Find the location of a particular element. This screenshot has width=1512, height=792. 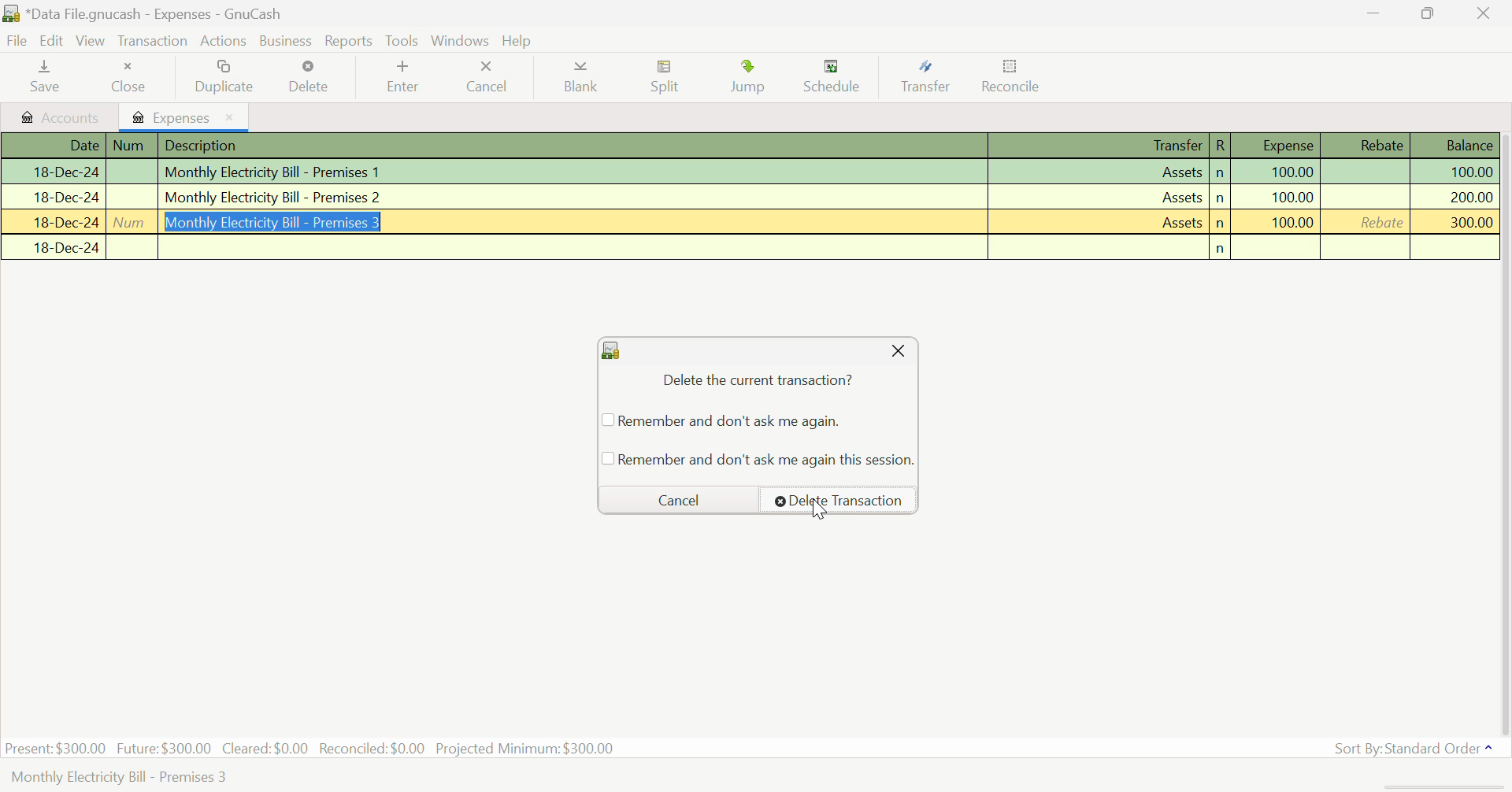

File is located at coordinates (17, 42).